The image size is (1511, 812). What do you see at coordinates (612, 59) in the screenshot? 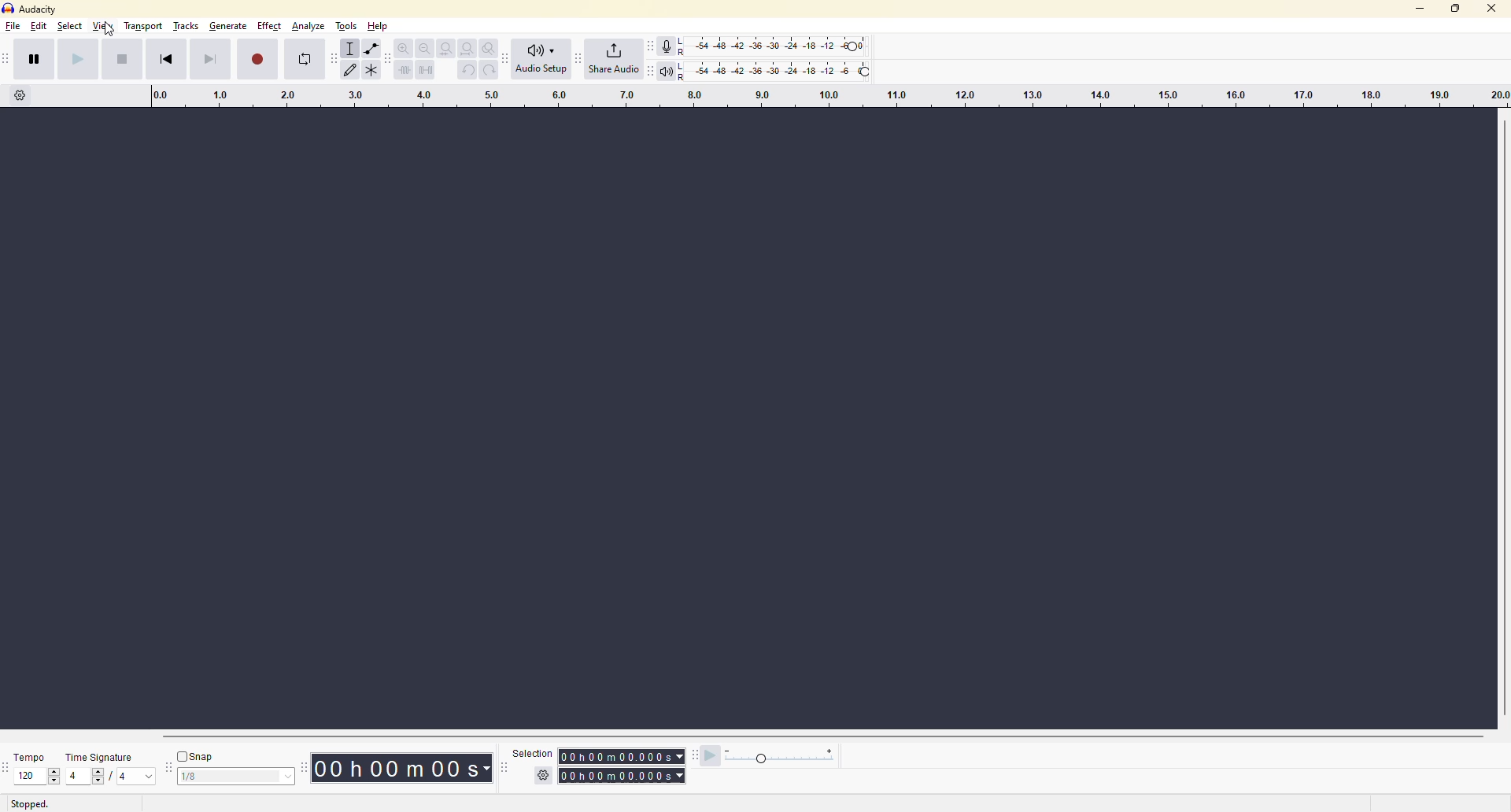
I see `share audio` at bounding box center [612, 59].